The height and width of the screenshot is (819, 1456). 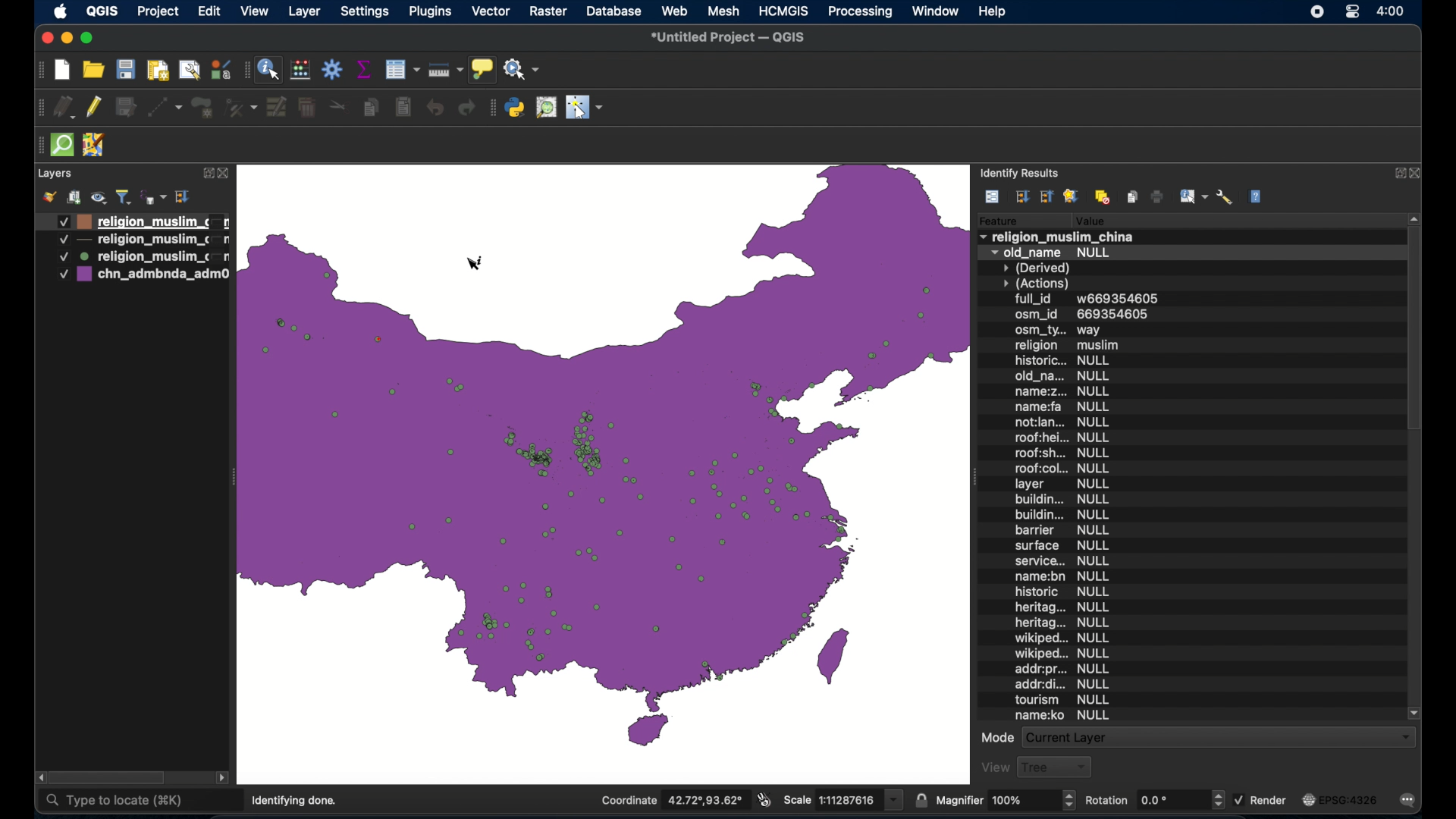 I want to click on historic, so click(x=1061, y=591).